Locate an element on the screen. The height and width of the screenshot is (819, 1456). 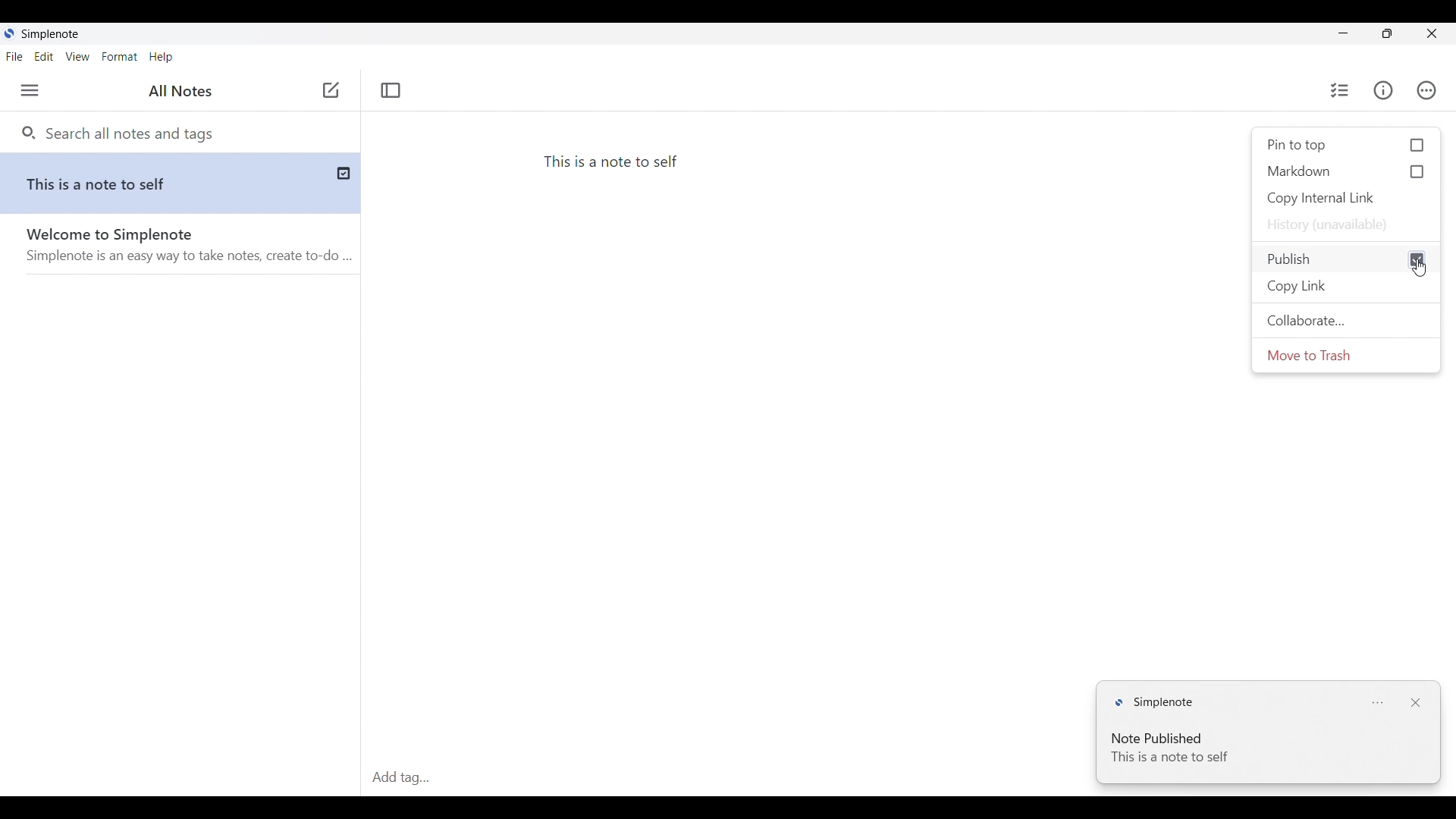
history (Unavailable) is located at coordinates (1346, 225).